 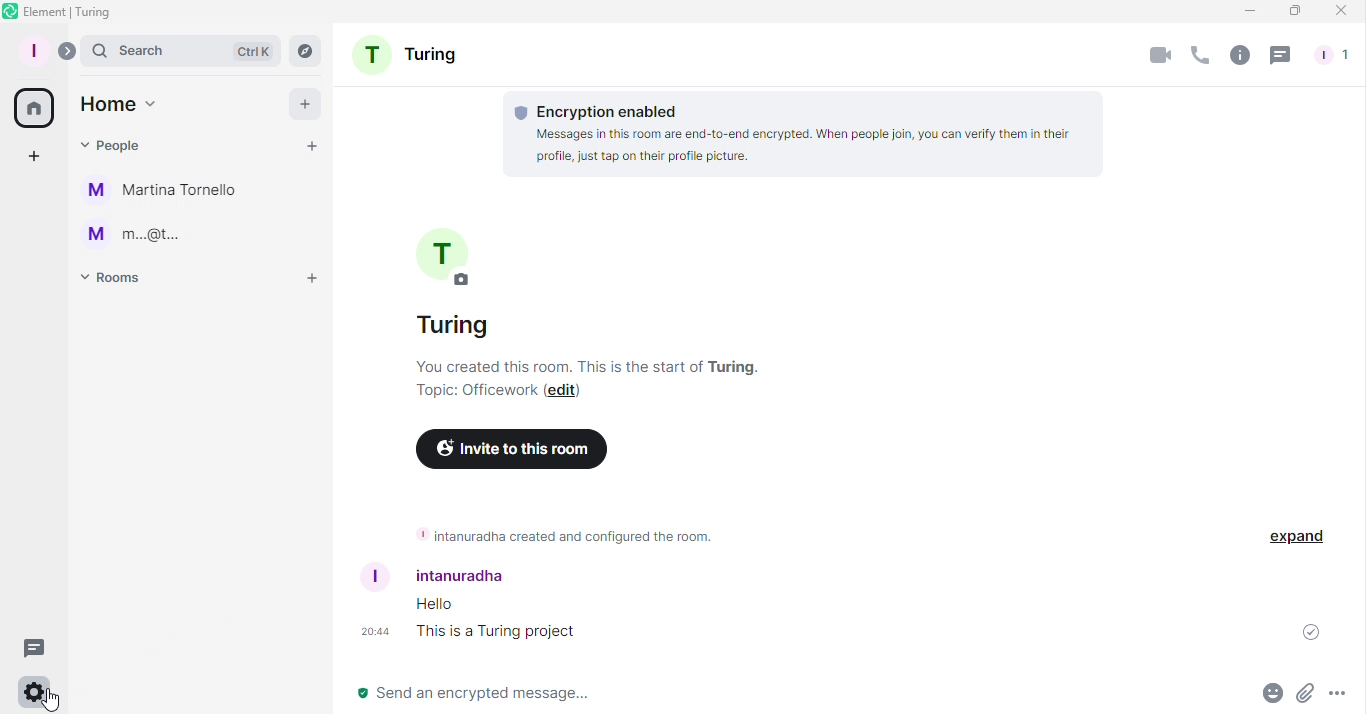 I want to click on Threads, so click(x=1280, y=54).